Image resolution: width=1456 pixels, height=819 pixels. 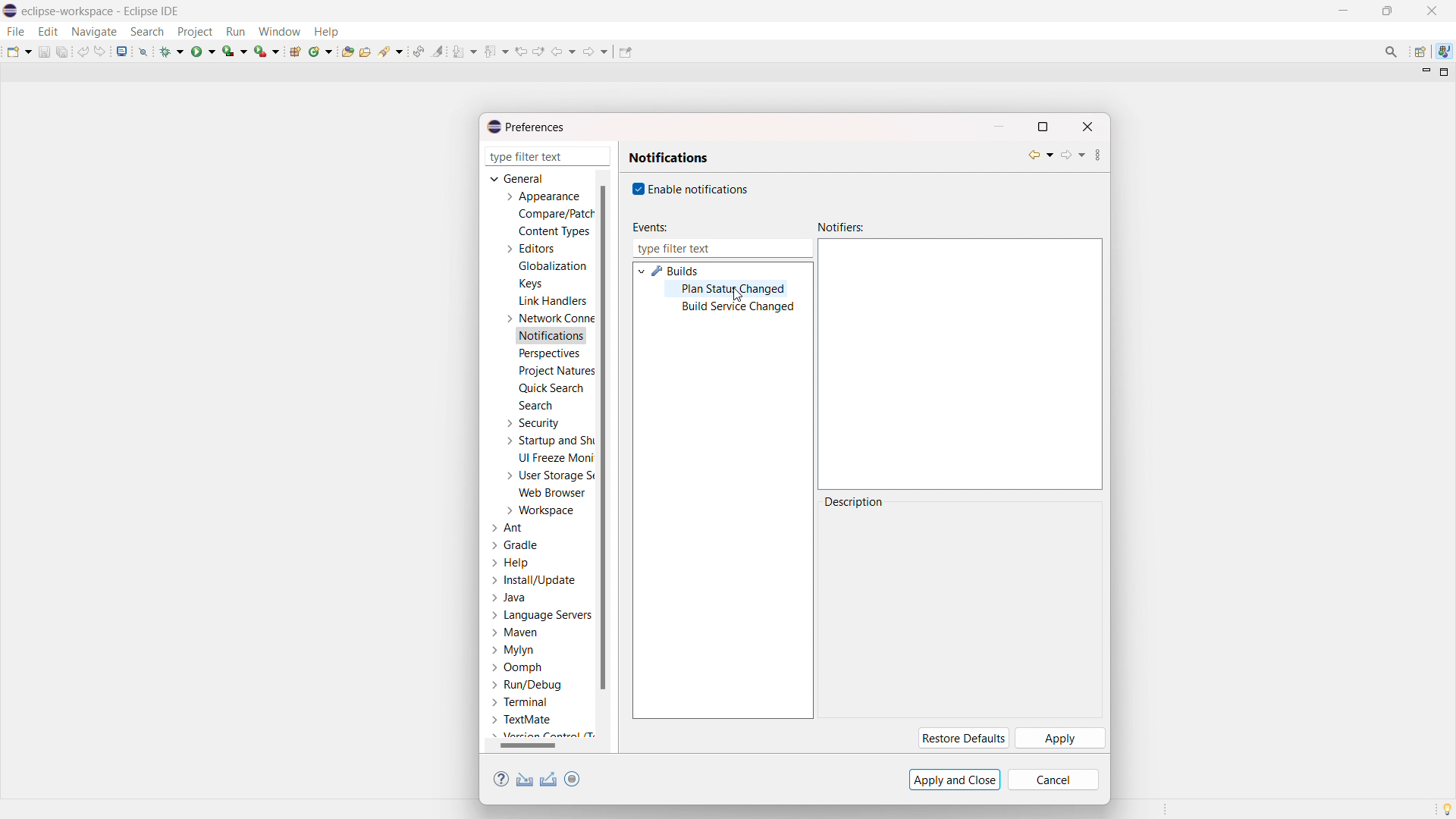 I want to click on save, so click(x=44, y=52).